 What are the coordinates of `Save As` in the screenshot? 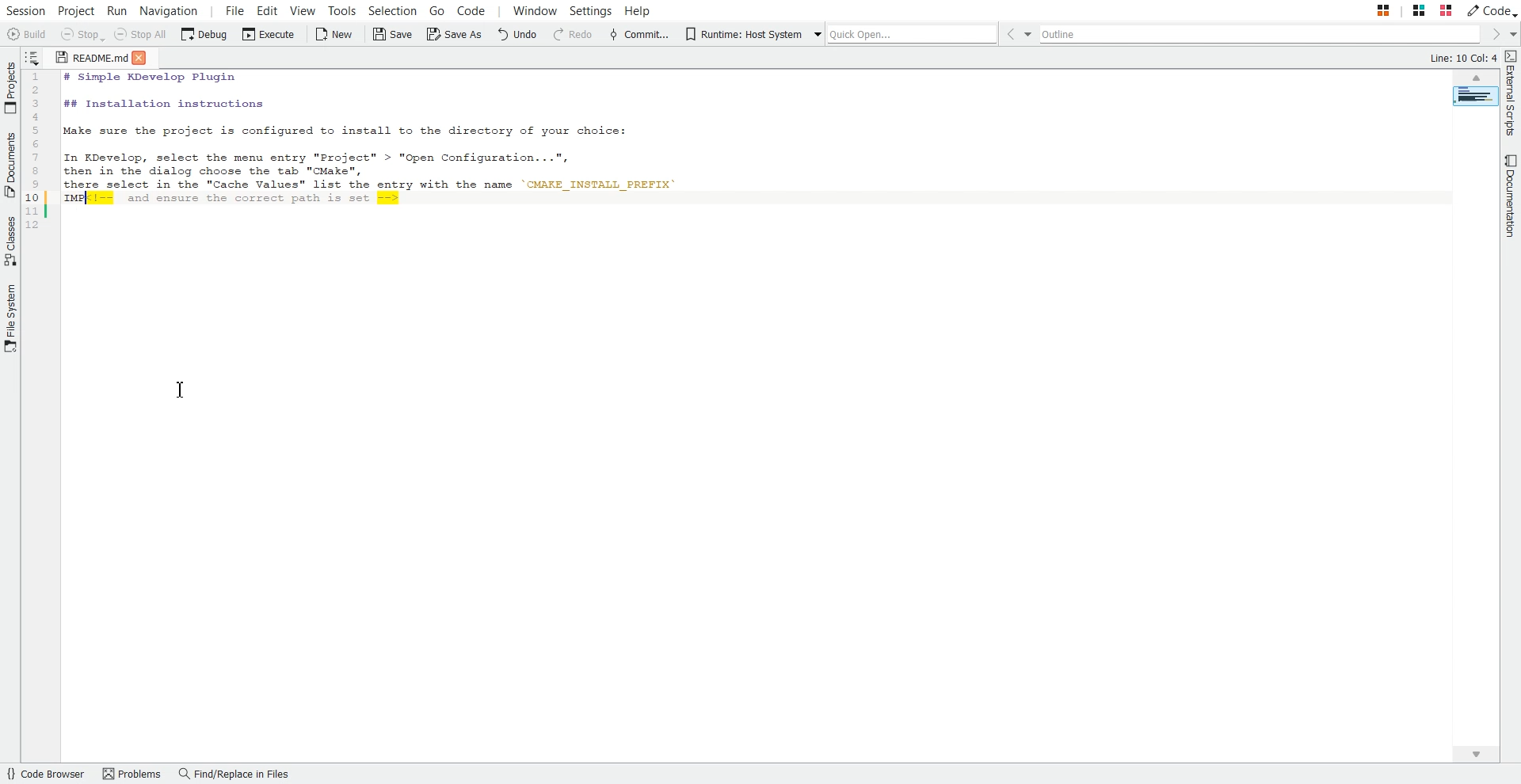 It's located at (453, 35).